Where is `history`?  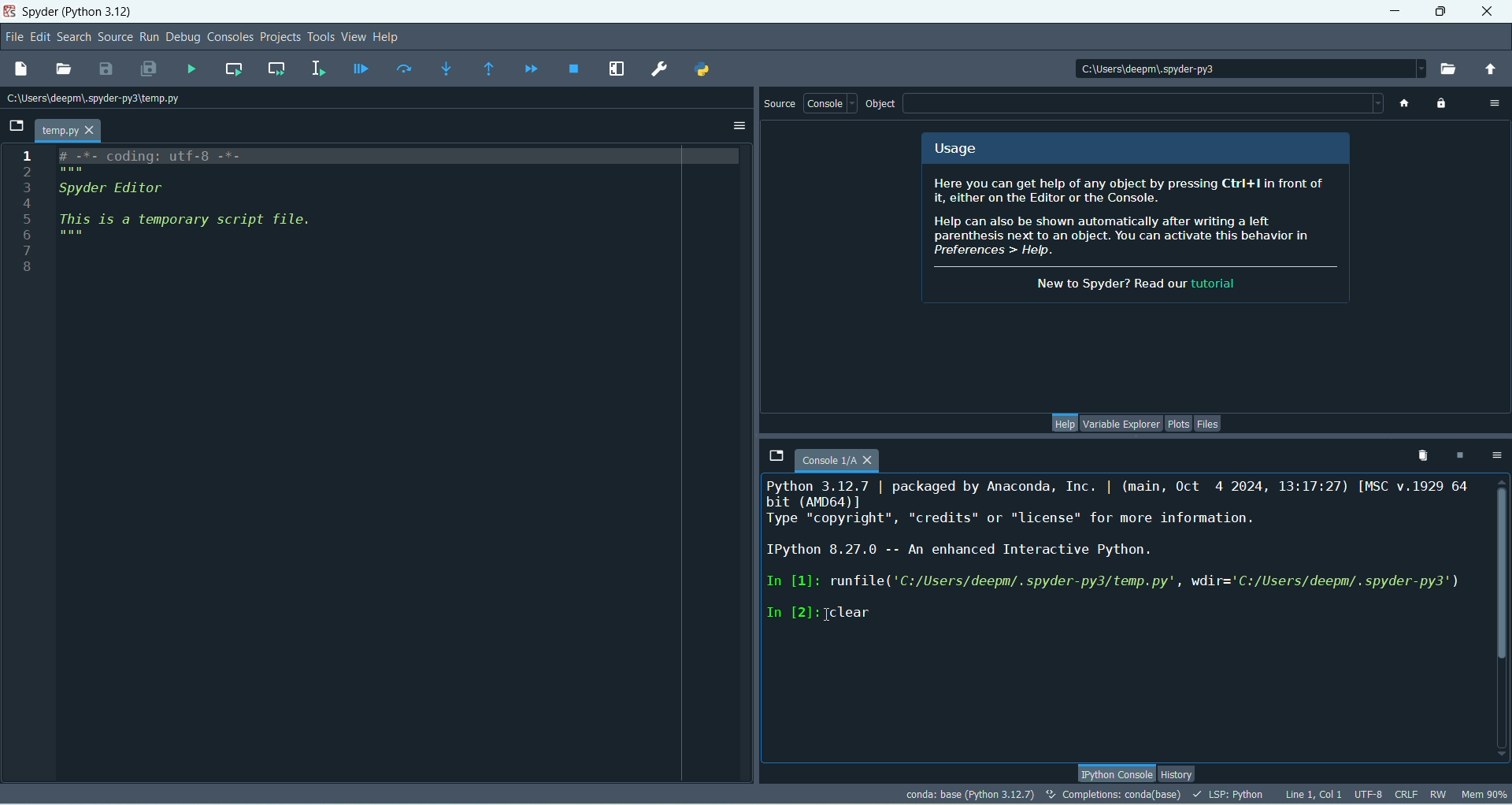 history is located at coordinates (1177, 772).